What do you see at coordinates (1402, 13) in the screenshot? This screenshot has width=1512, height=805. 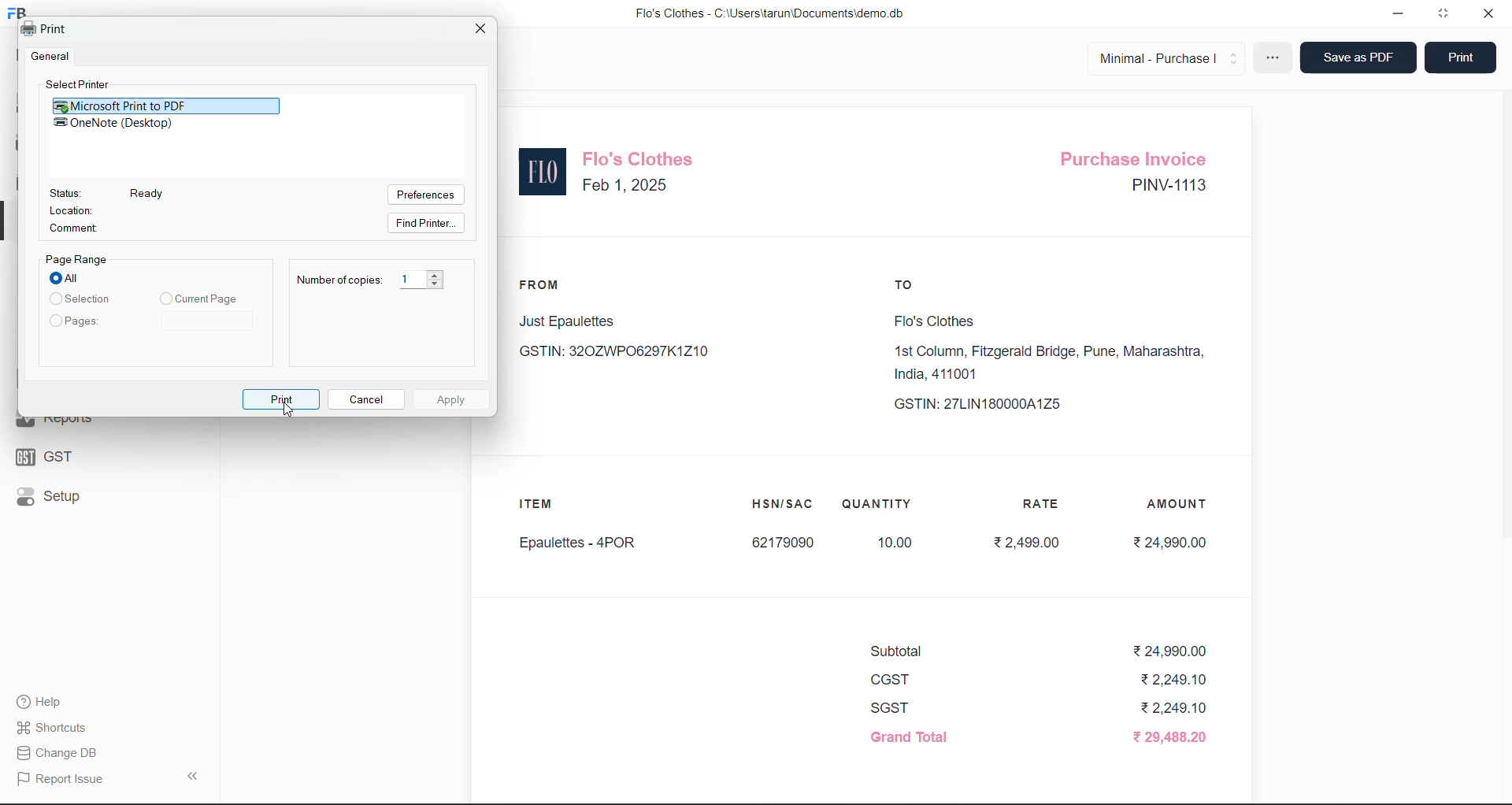 I see `minimize` at bounding box center [1402, 13].